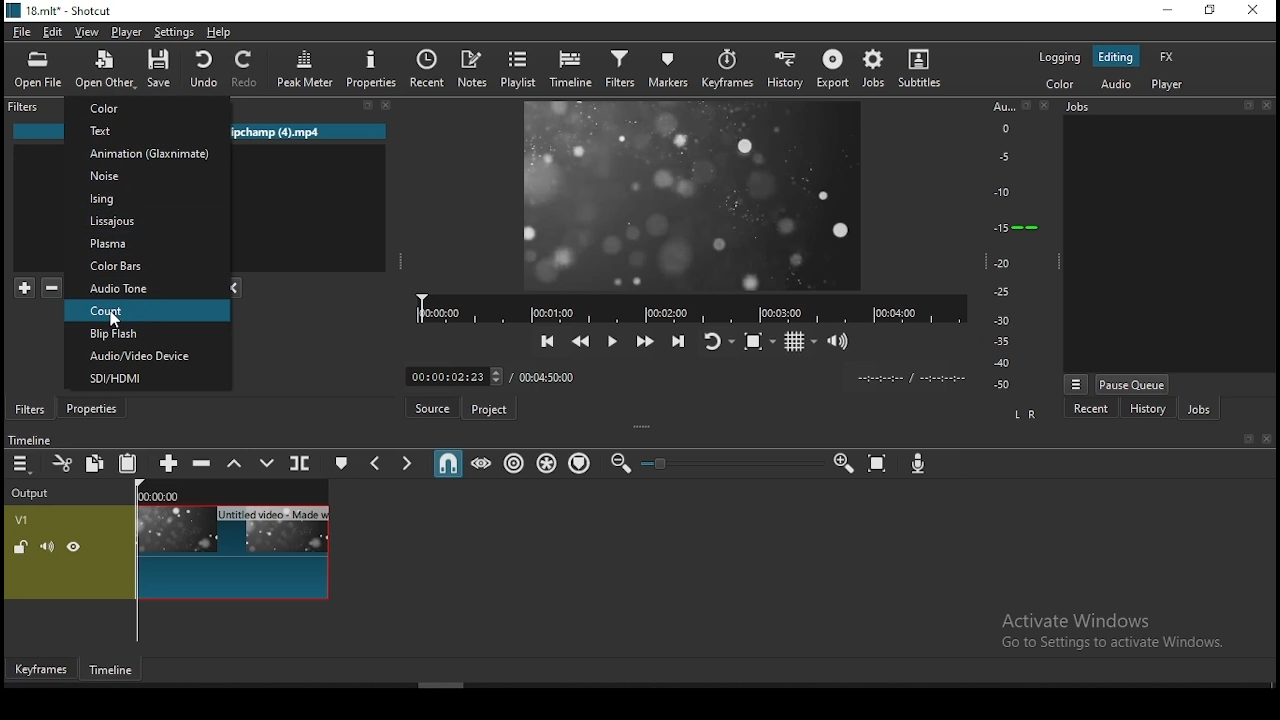 This screenshot has height=720, width=1280. Describe the element at coordinates (234, 464) in the screenshot. I see `lift` at that location.